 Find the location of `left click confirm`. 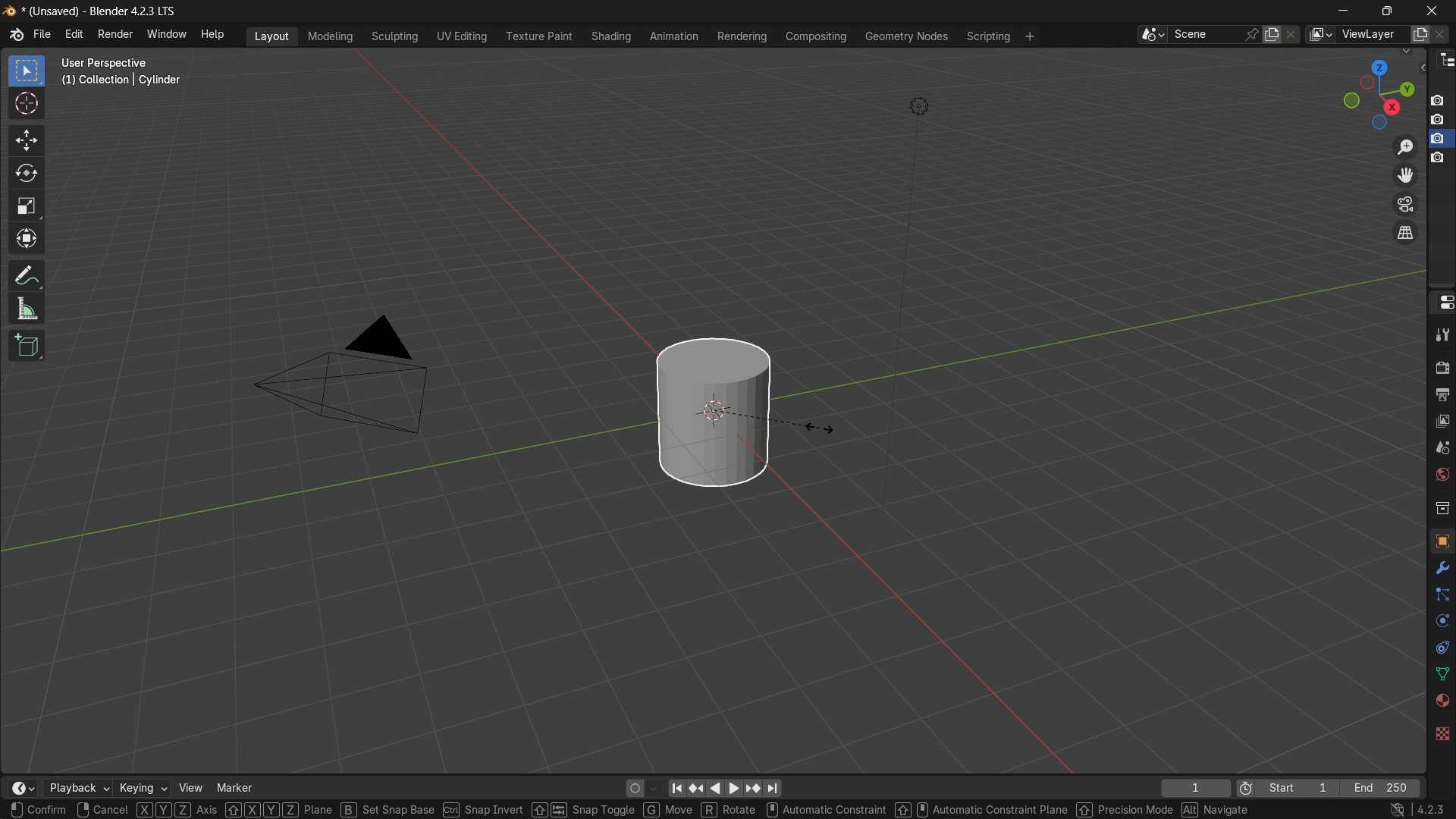

left click confirm is located at coordinates (39, 810).